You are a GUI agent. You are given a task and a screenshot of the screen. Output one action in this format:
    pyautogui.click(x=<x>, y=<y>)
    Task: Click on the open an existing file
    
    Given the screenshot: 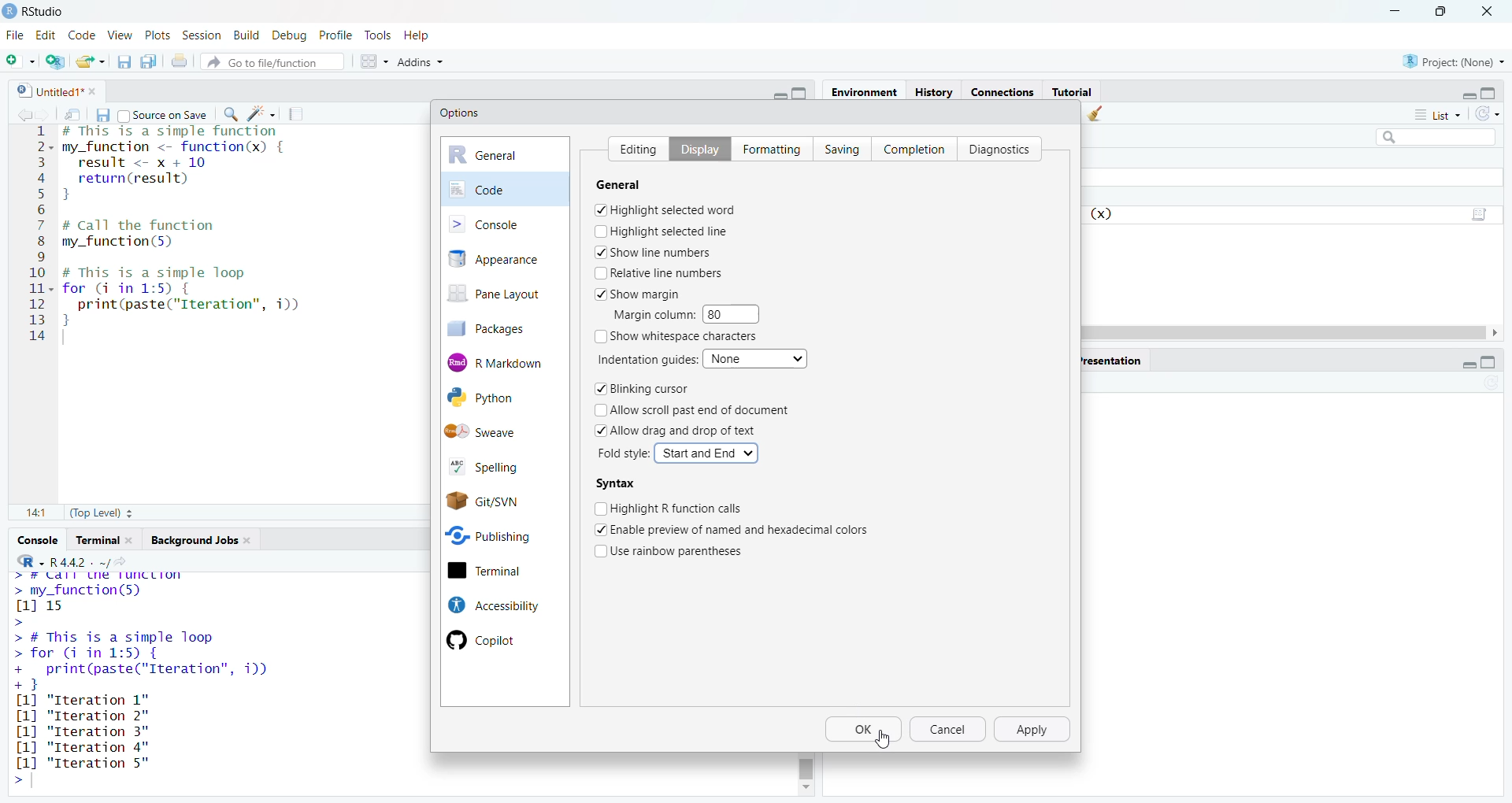 What is the action you would take?
    pyautogui.click(x=91, y=60)
    